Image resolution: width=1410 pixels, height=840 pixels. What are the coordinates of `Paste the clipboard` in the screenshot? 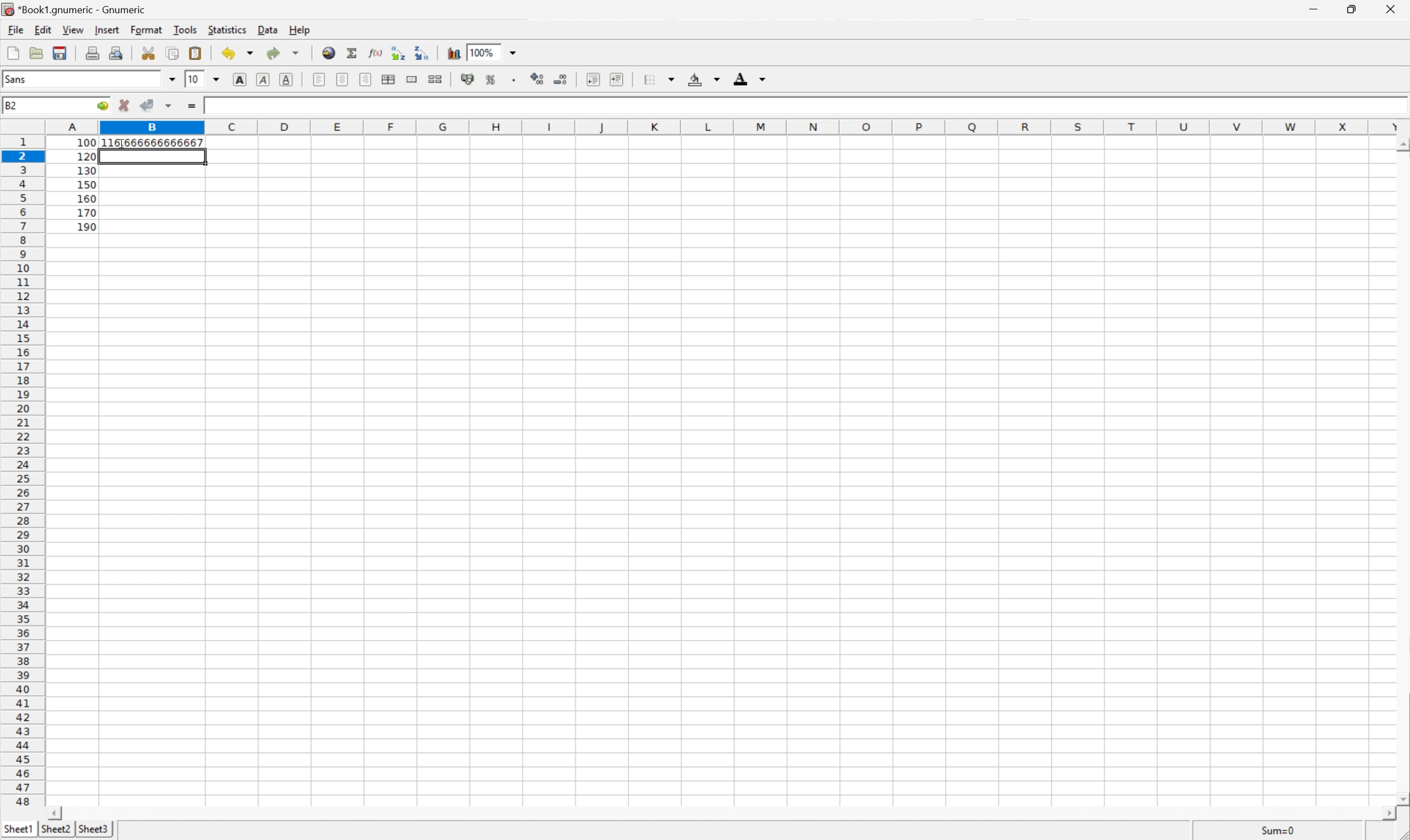 It's located at (198, 52).